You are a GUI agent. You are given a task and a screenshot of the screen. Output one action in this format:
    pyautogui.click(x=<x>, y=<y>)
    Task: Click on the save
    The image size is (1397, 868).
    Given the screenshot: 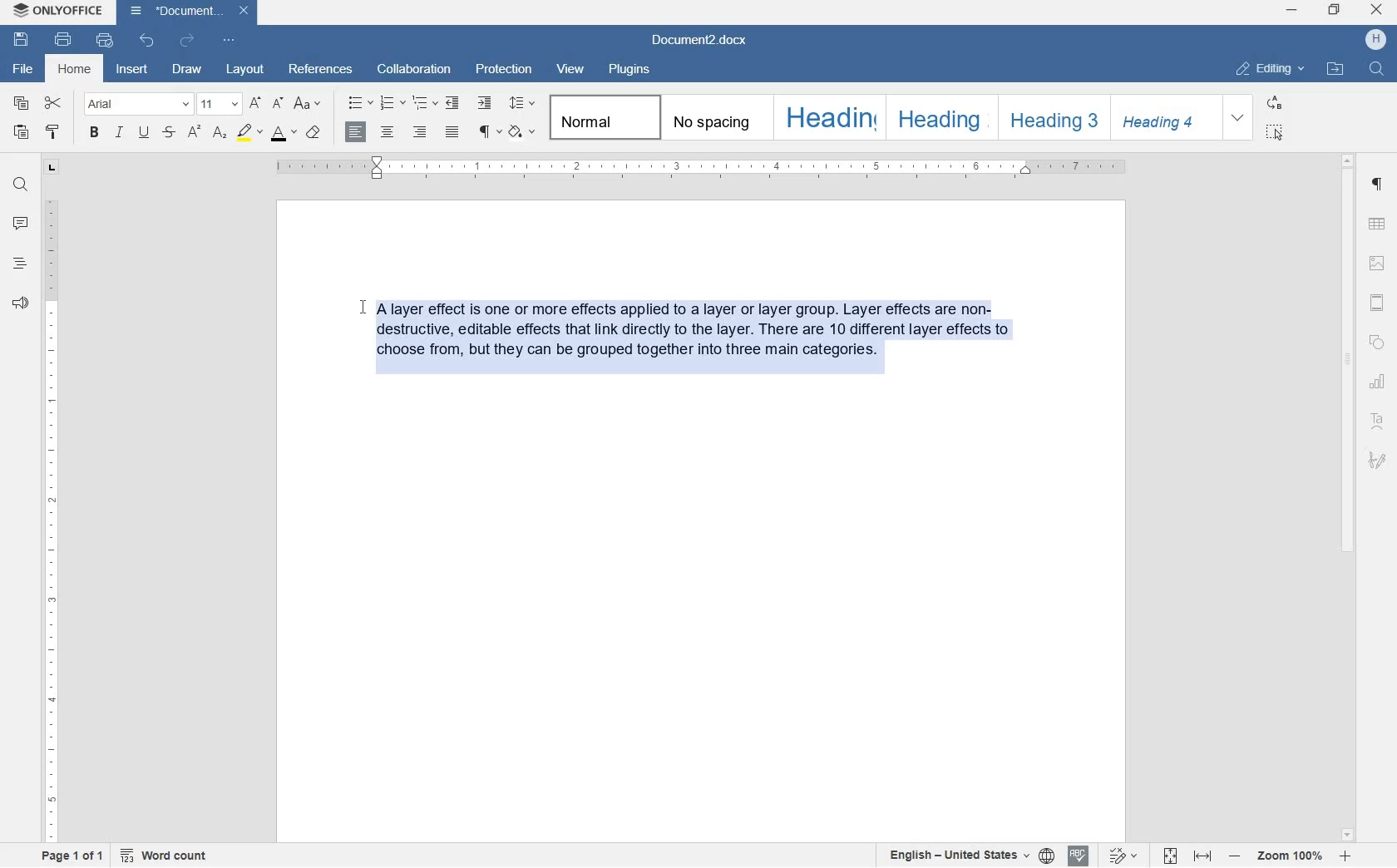 What is the action you would take?
    pyautogui.click(x=22, y=41)
    